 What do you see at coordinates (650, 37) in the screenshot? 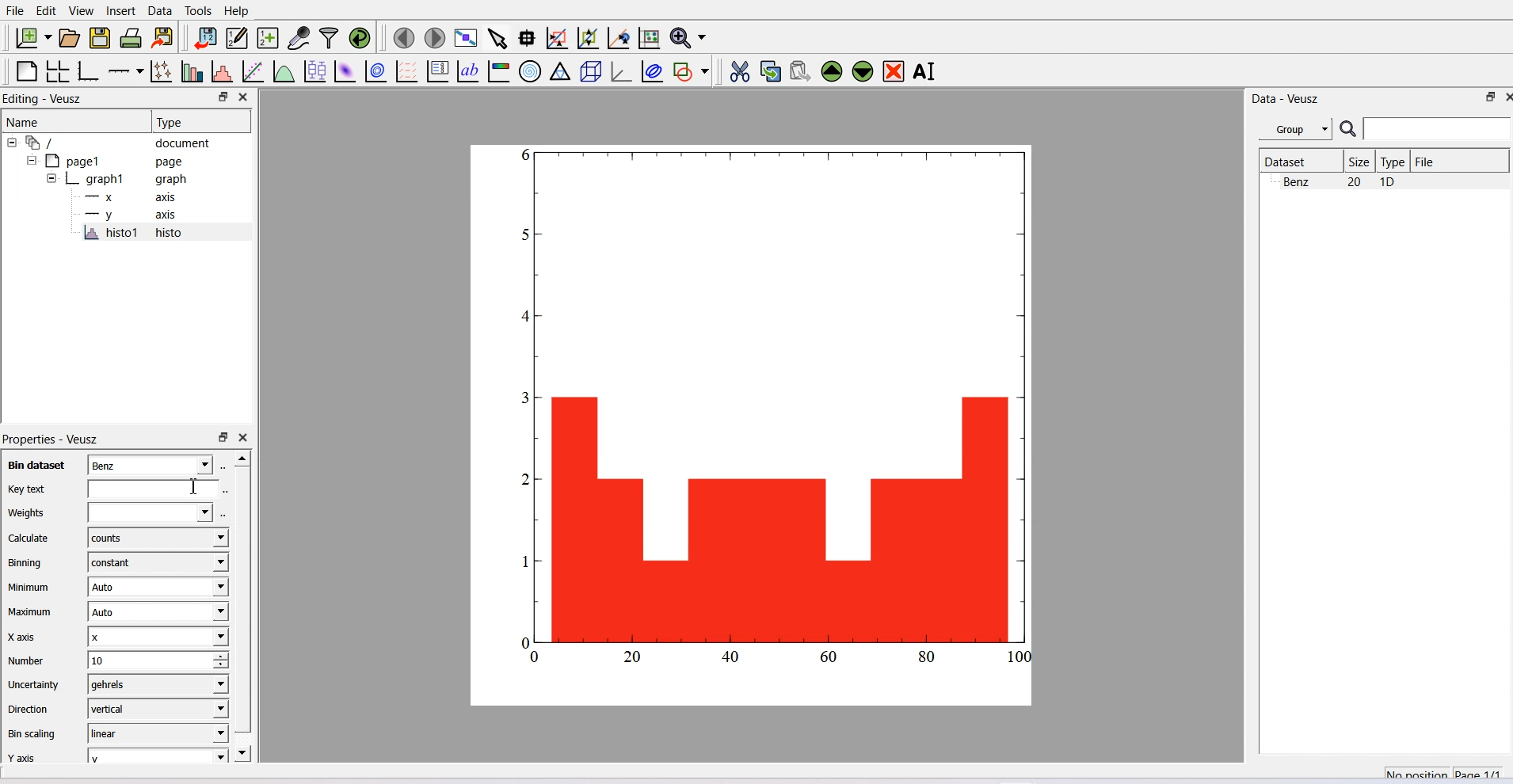
I see `Reset graph axes` at bounding box center [650, 37].